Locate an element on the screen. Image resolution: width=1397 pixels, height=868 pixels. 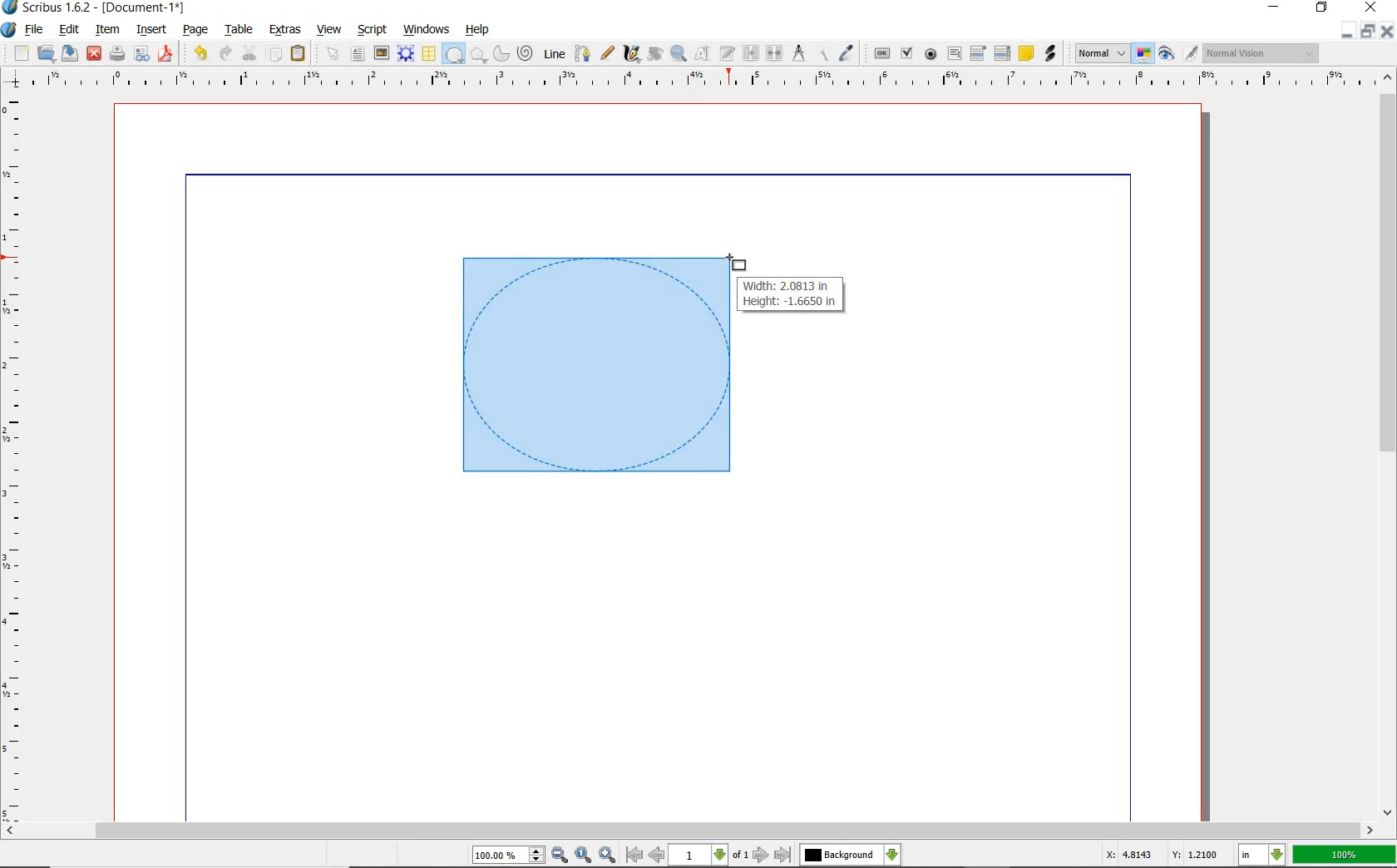
MEASUREMENTS is located at coordinates (798, 54).